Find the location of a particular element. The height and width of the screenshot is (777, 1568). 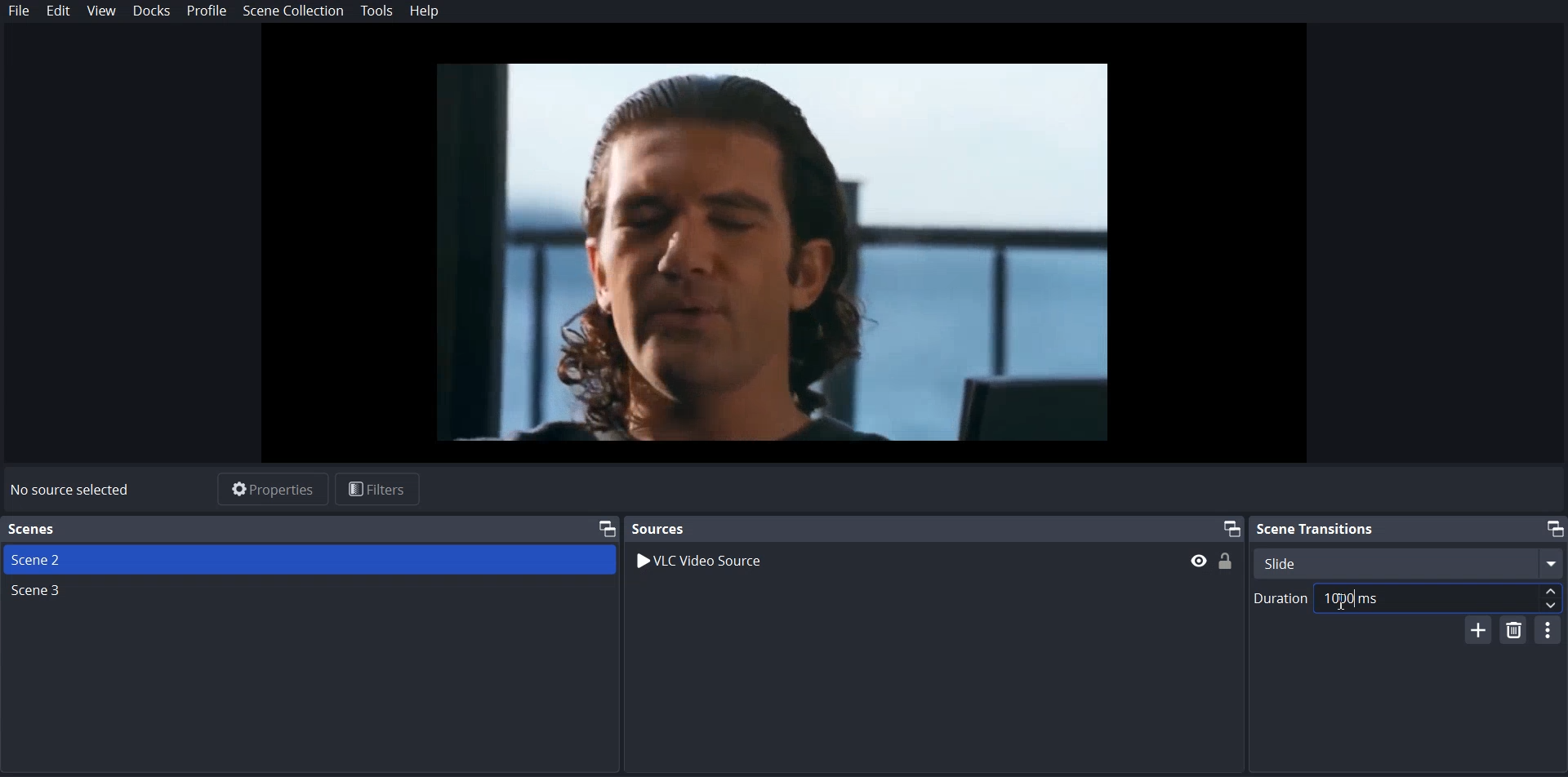

Text Cursor is located at coordinates (1340, 601).